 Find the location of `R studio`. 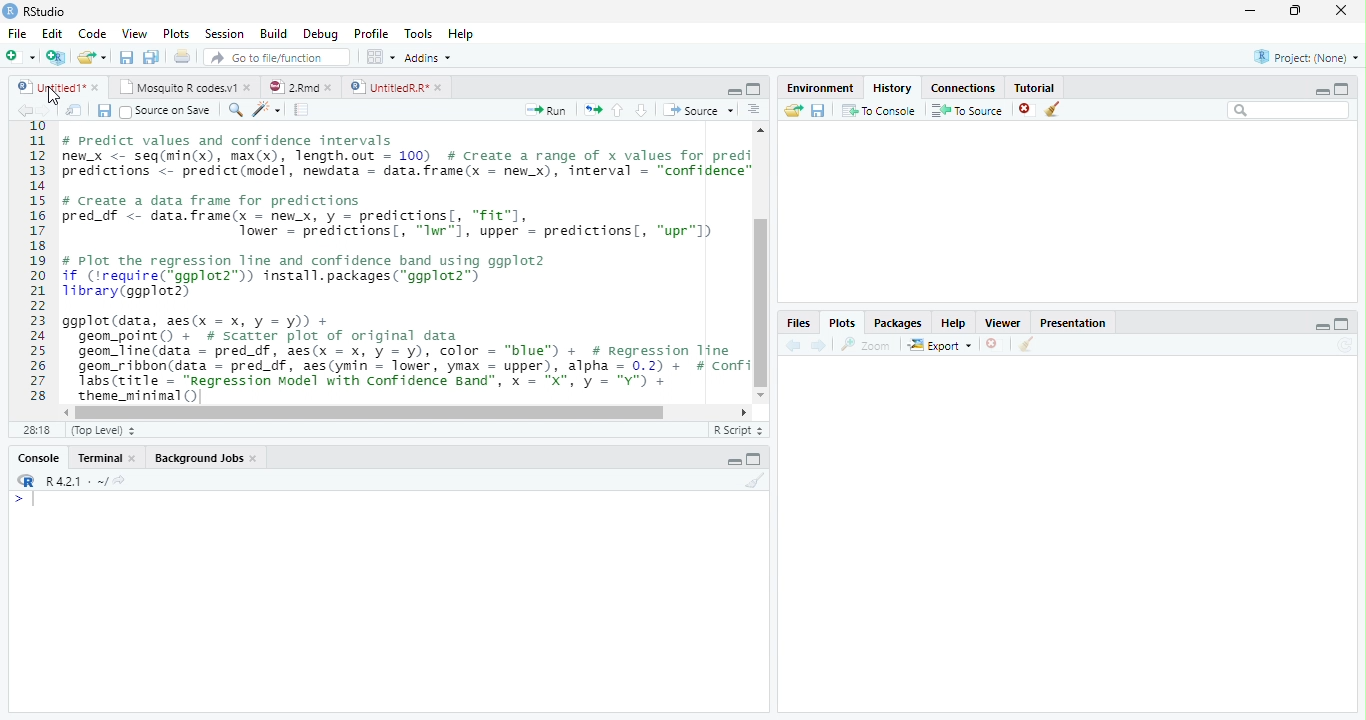

R studio is located at coordinates (38, 11).